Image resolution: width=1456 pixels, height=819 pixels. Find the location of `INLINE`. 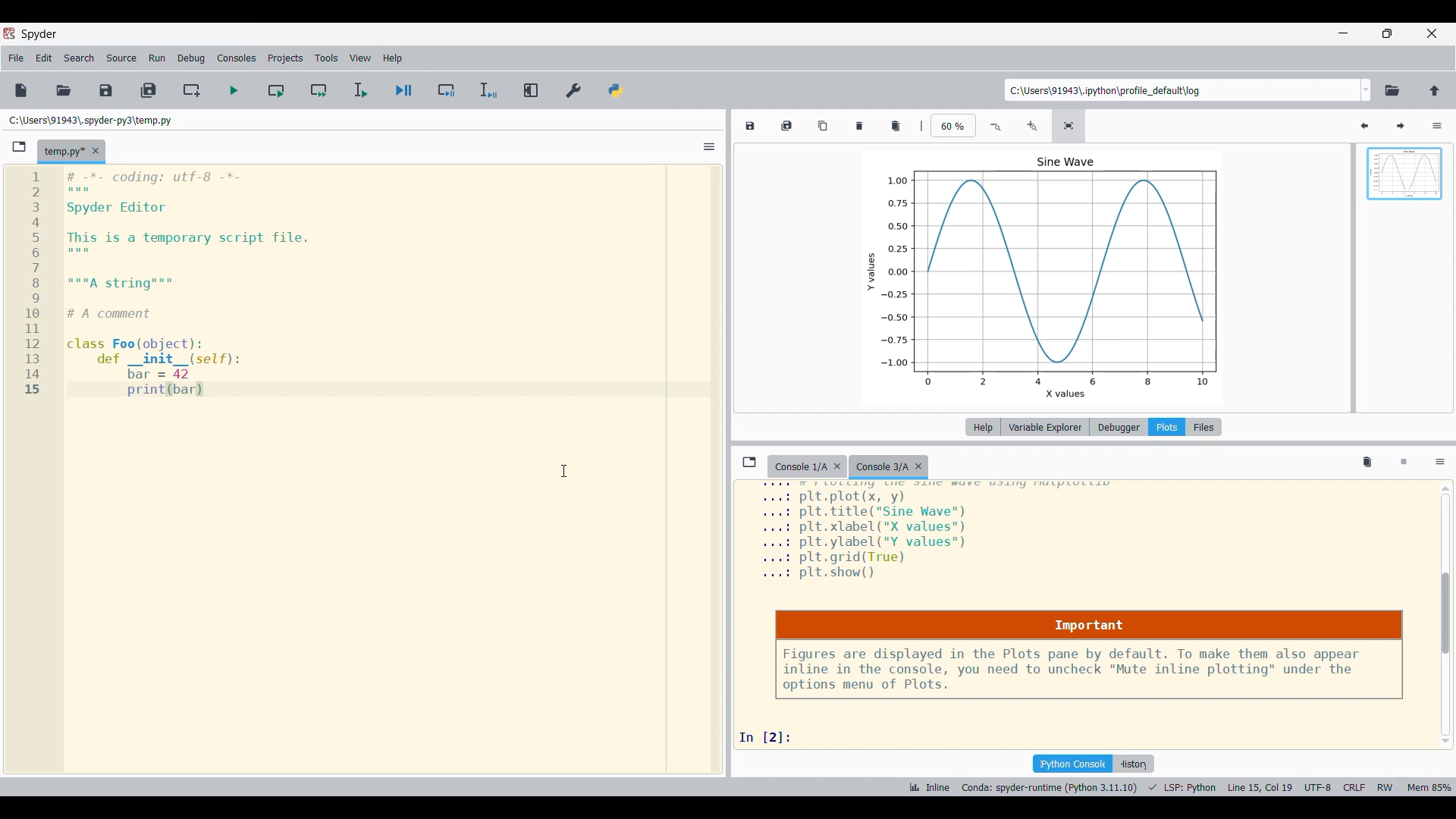

INLINE is located at coordinates (927, 787).